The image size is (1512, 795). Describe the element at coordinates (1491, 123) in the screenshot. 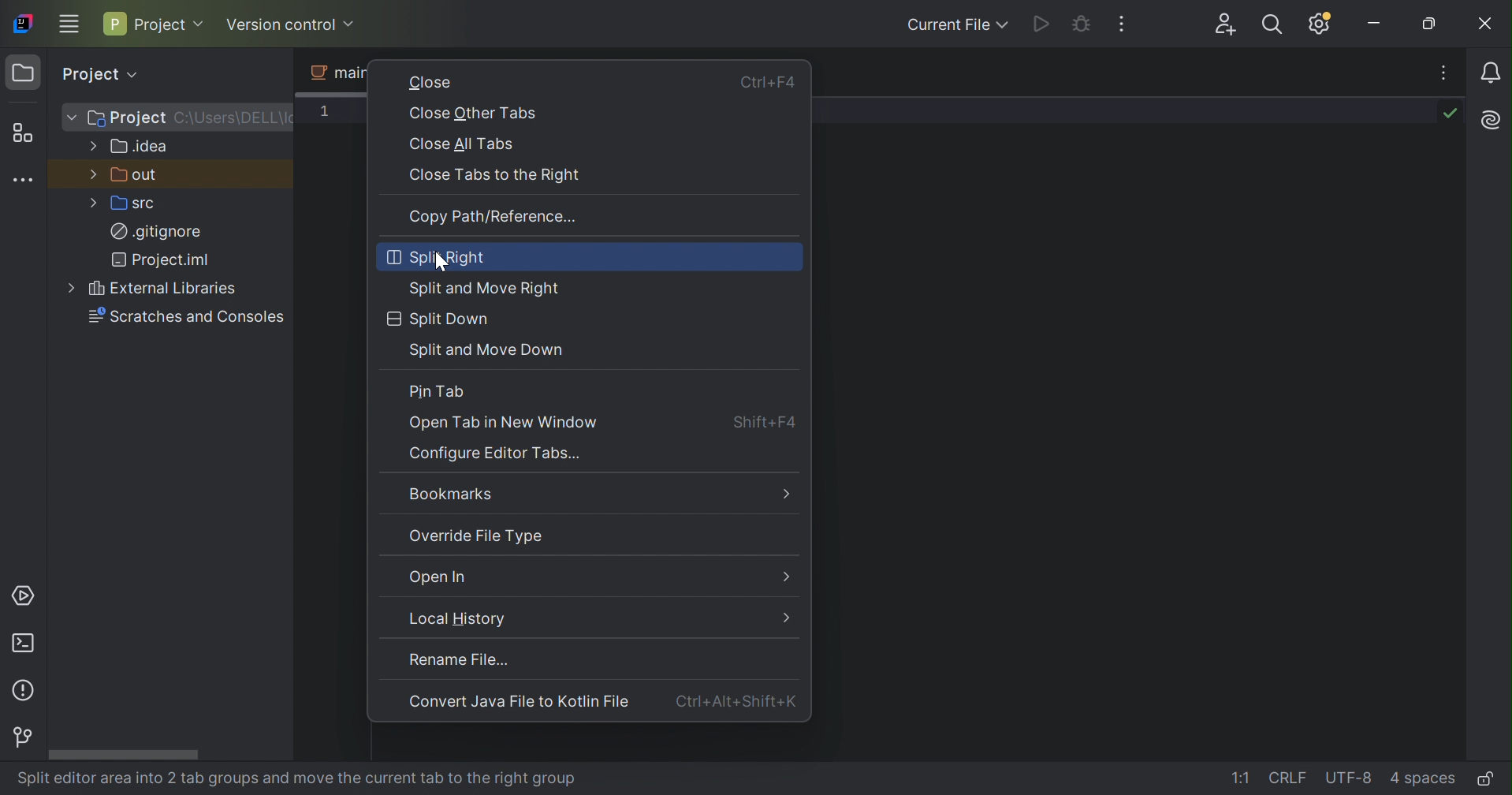

I see `AI Assistant` at that location.